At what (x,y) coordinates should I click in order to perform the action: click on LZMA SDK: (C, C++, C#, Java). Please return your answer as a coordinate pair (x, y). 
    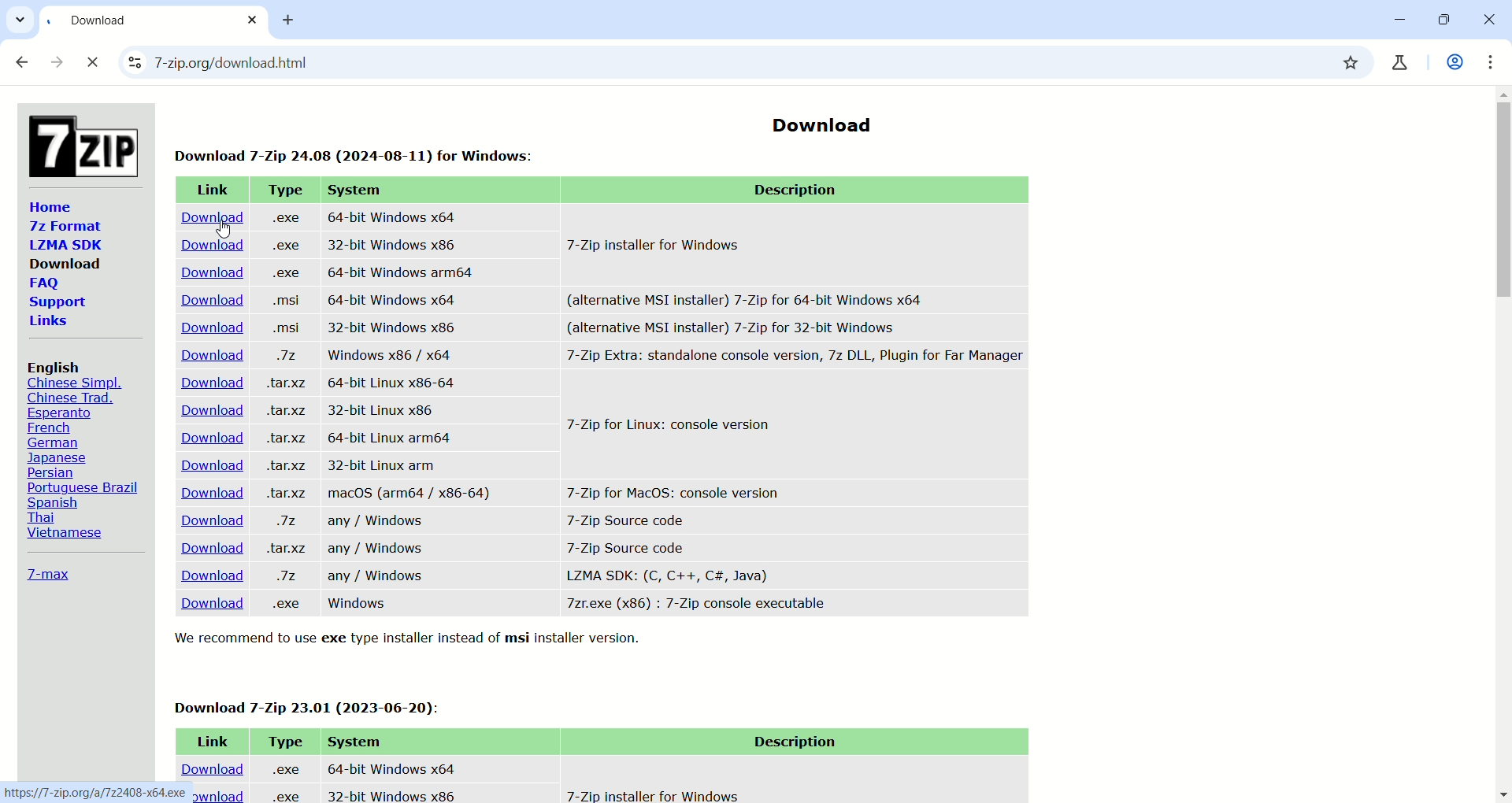
    Looking at the image, I should click on (666, 575).